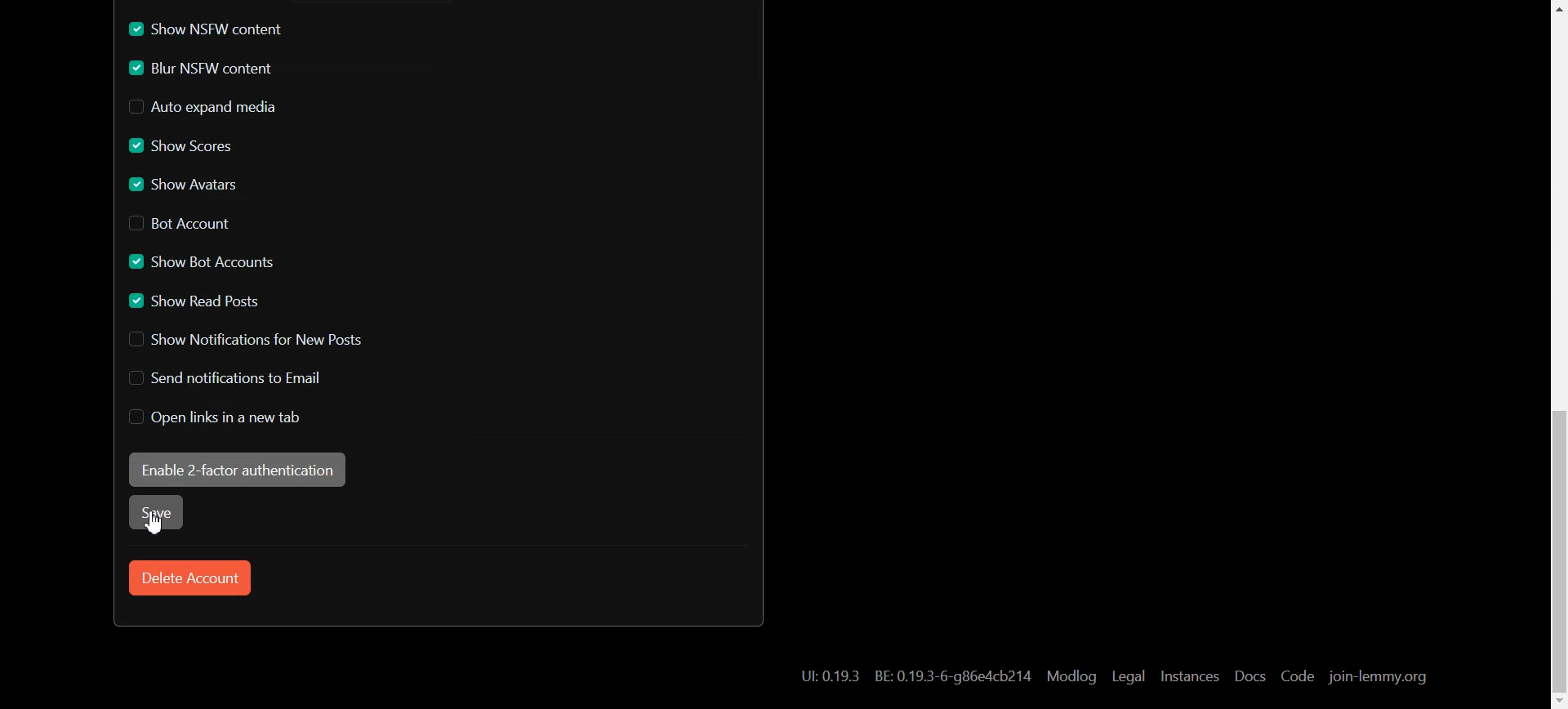 The width and height of the screenshot is (1568, 709). I want to click on Vertical scroll bar, so click(1553, 354).